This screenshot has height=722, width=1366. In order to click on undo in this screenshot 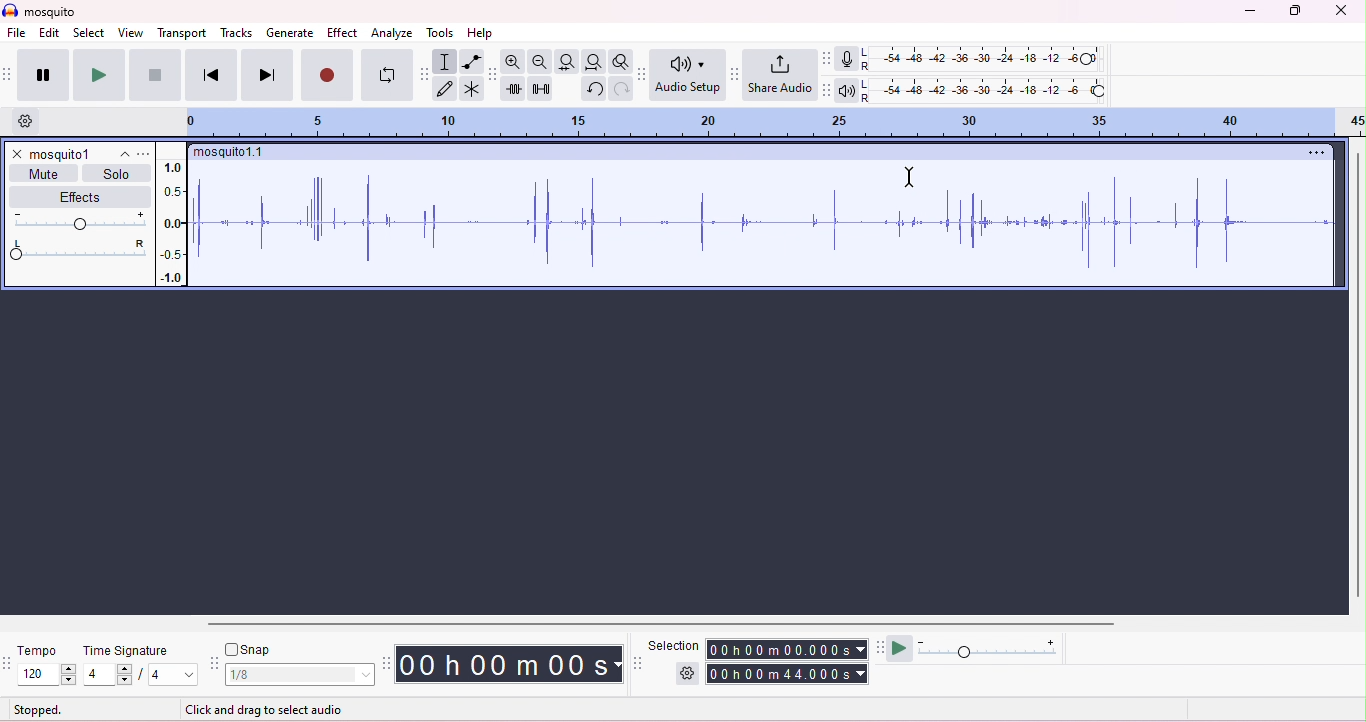, I will do `click(593, 89)`.